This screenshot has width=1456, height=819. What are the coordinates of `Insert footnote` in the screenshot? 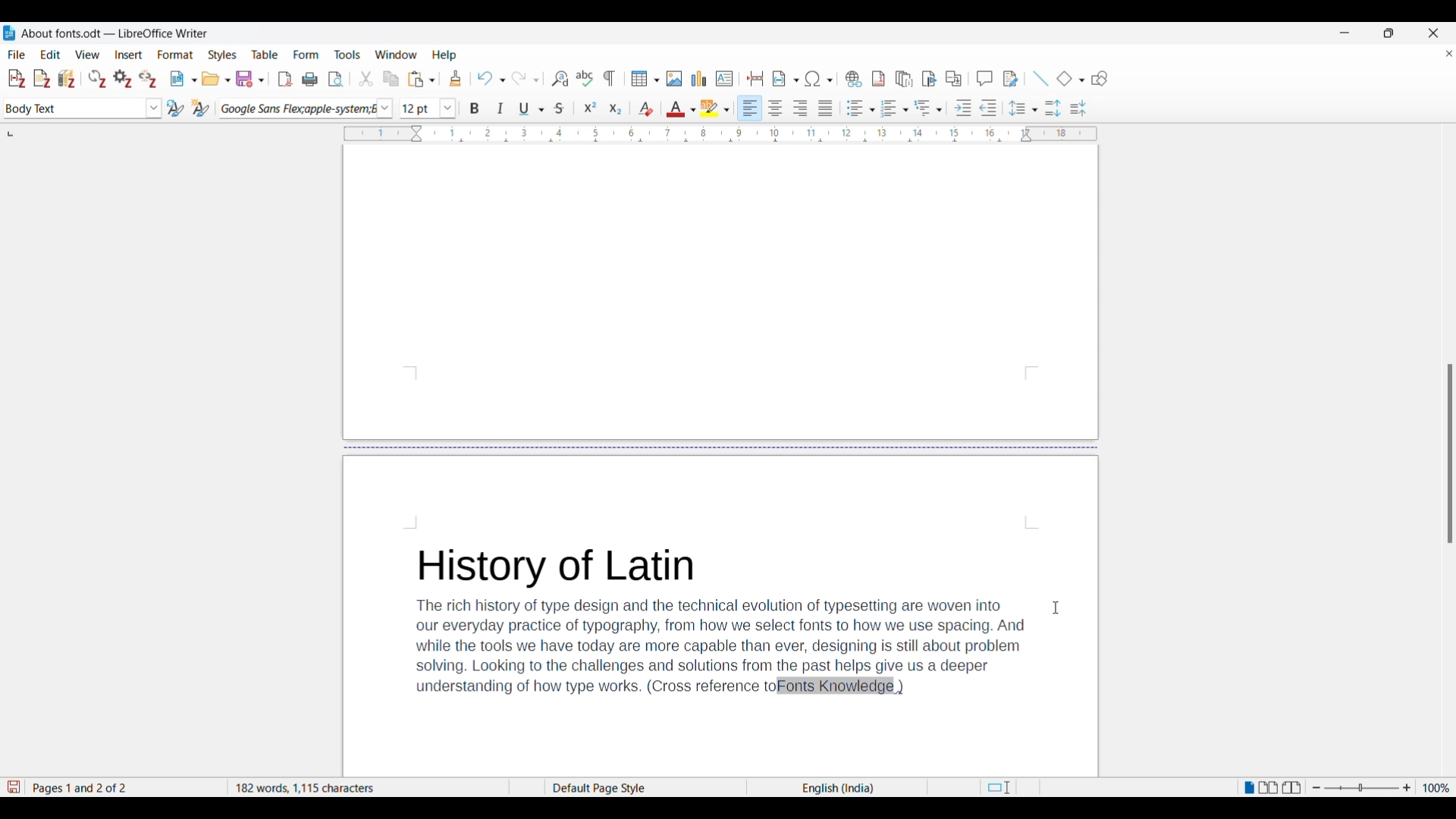 It's located at (877, 79).